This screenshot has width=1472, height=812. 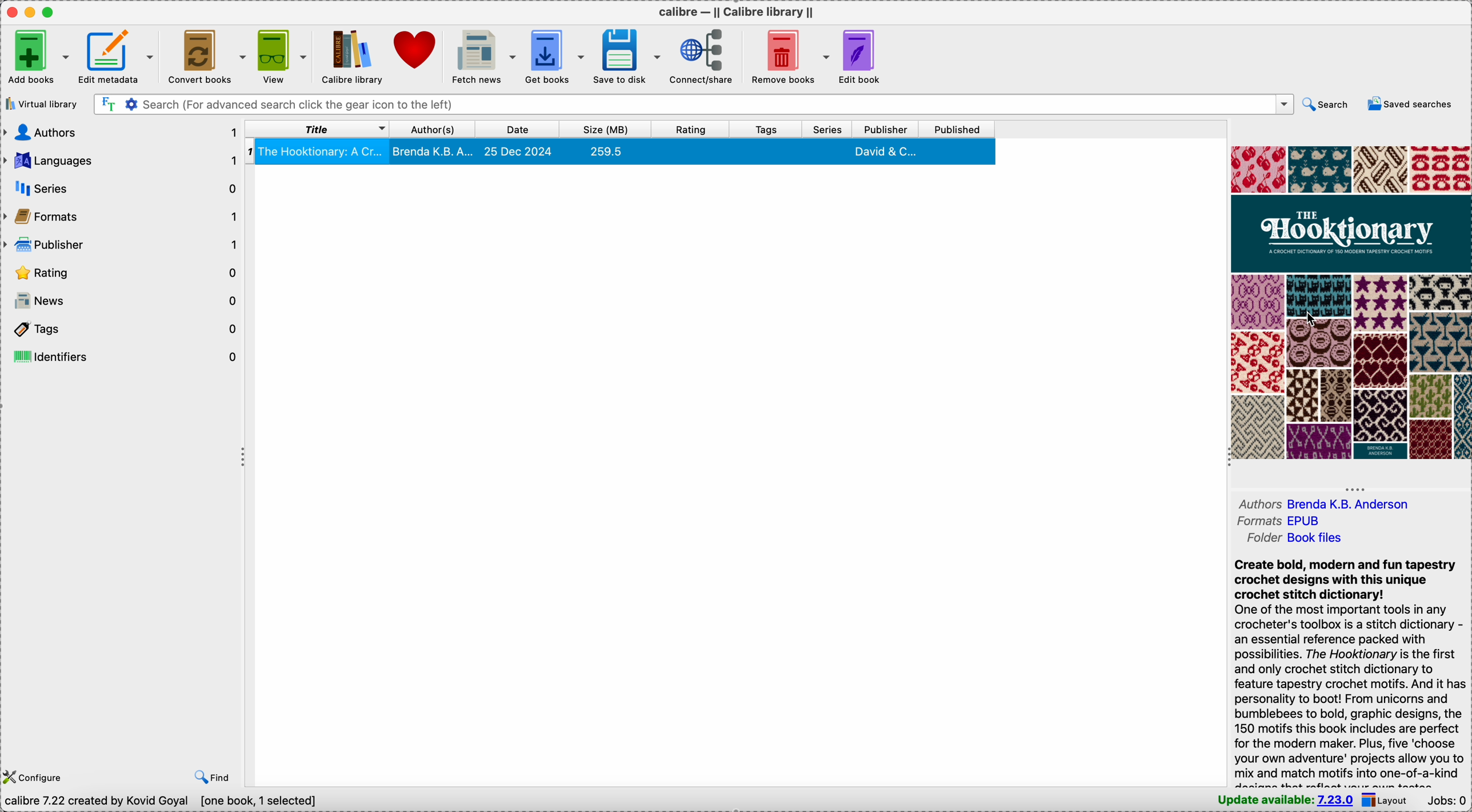 I want to click on date, so click(x=517, y=129).